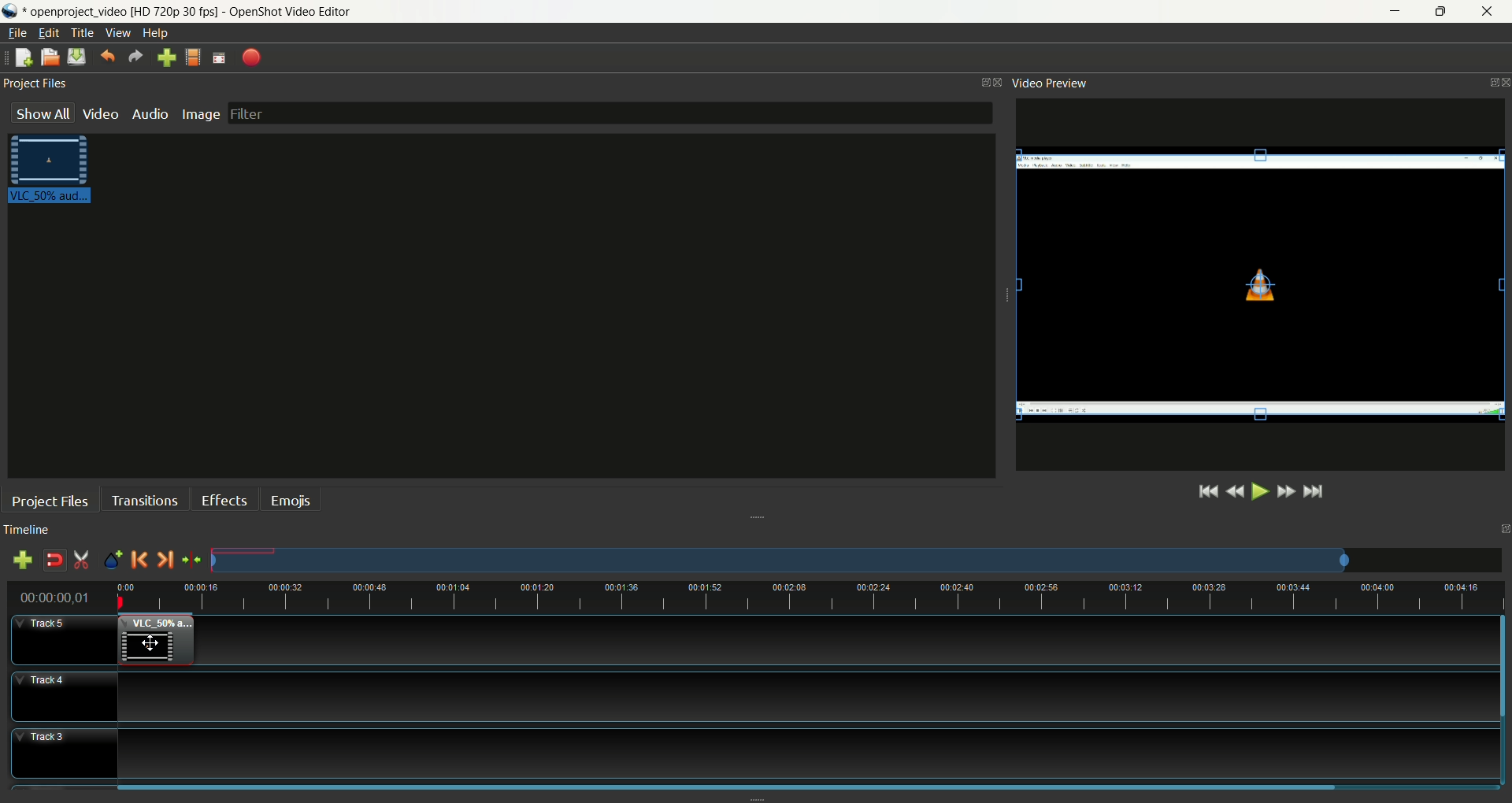  What do you see at coordinates (108, 57) in the screenshot?
I see `undo` at bounding box center [108, 57].